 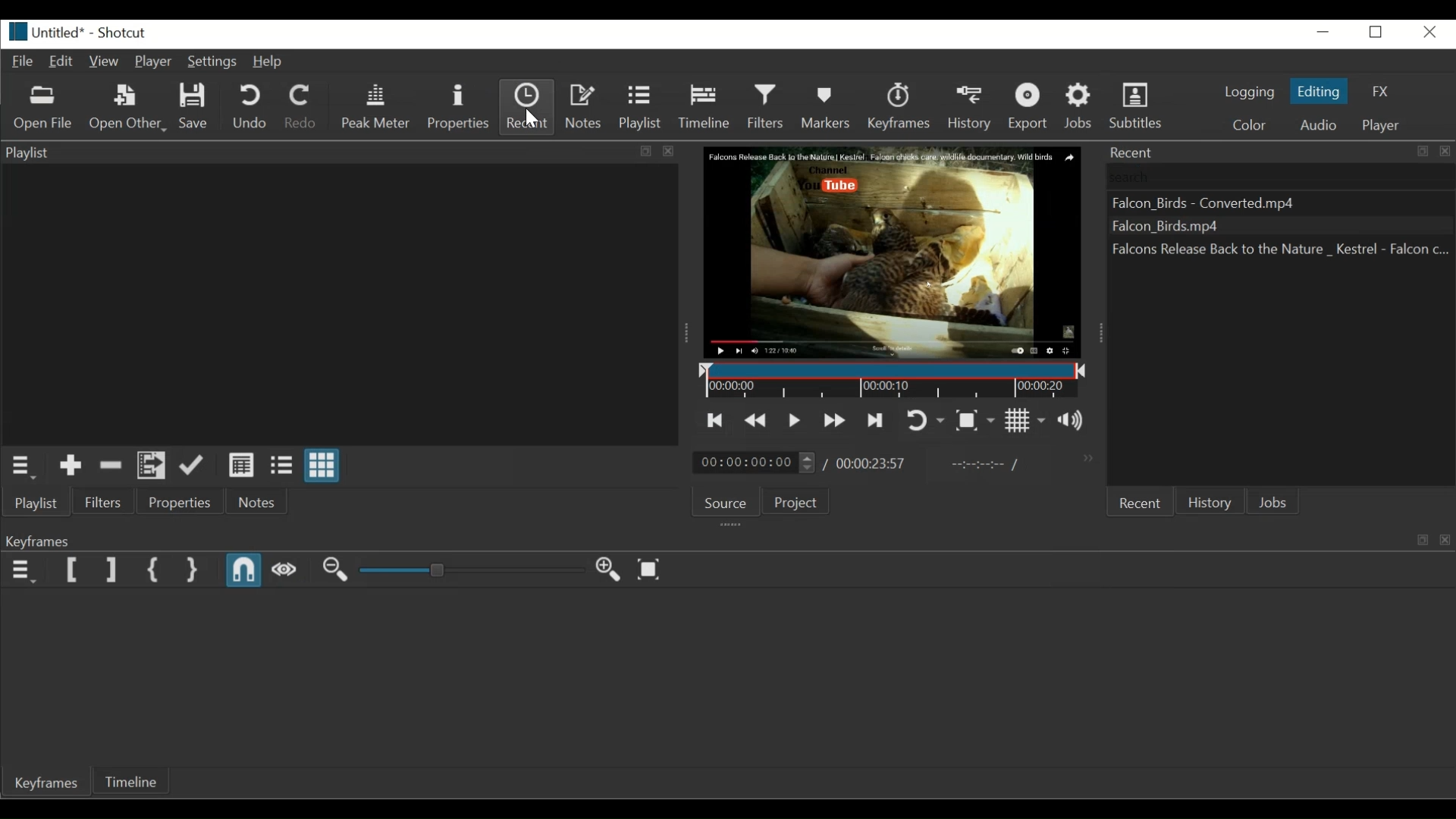 What do you see at coordinates (727, 501) in the screenshot?
I see `Source` at bounding box center [727, 501].